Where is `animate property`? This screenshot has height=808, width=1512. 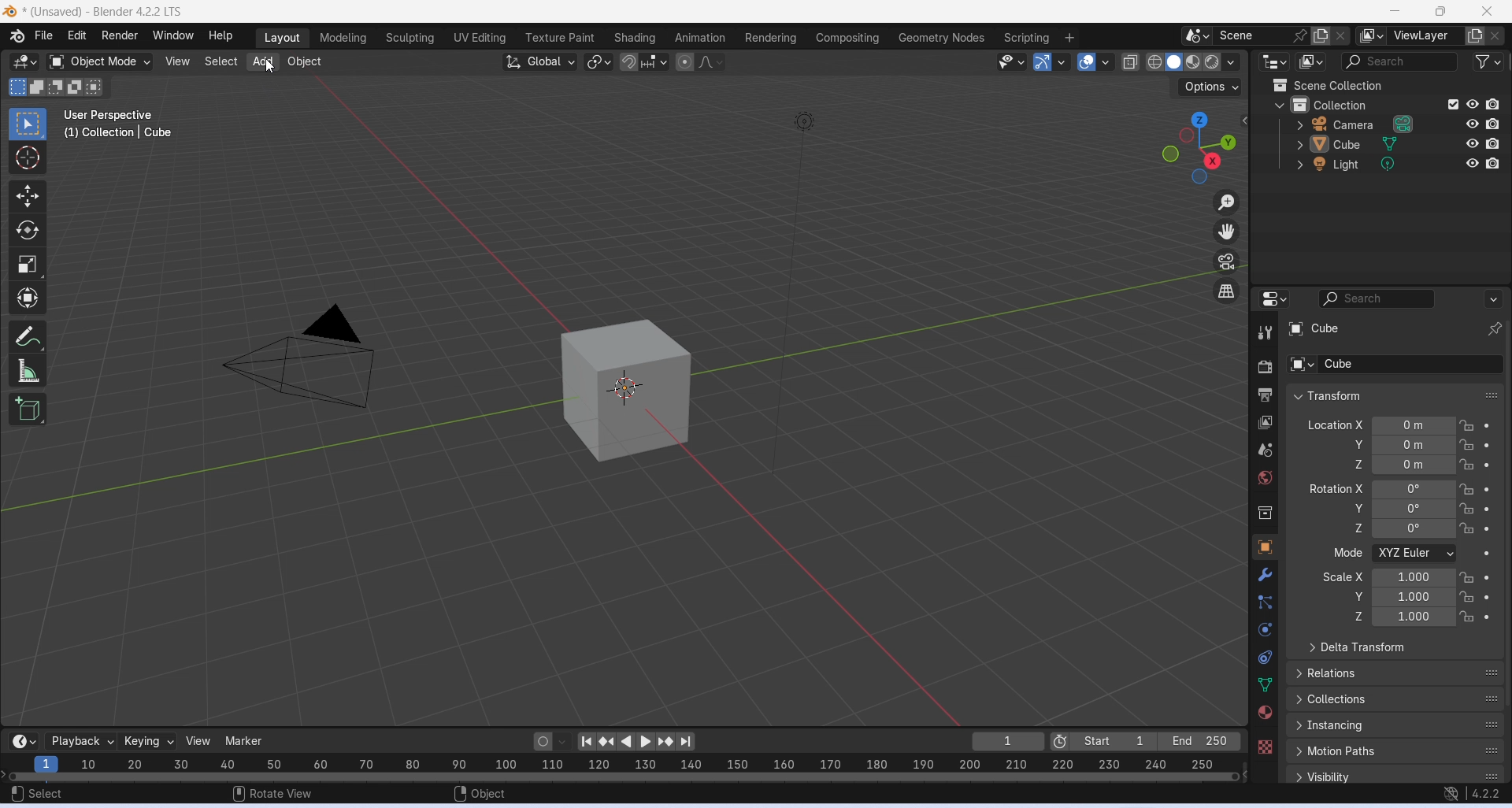 animate property is located at coordinates (1487, 510).